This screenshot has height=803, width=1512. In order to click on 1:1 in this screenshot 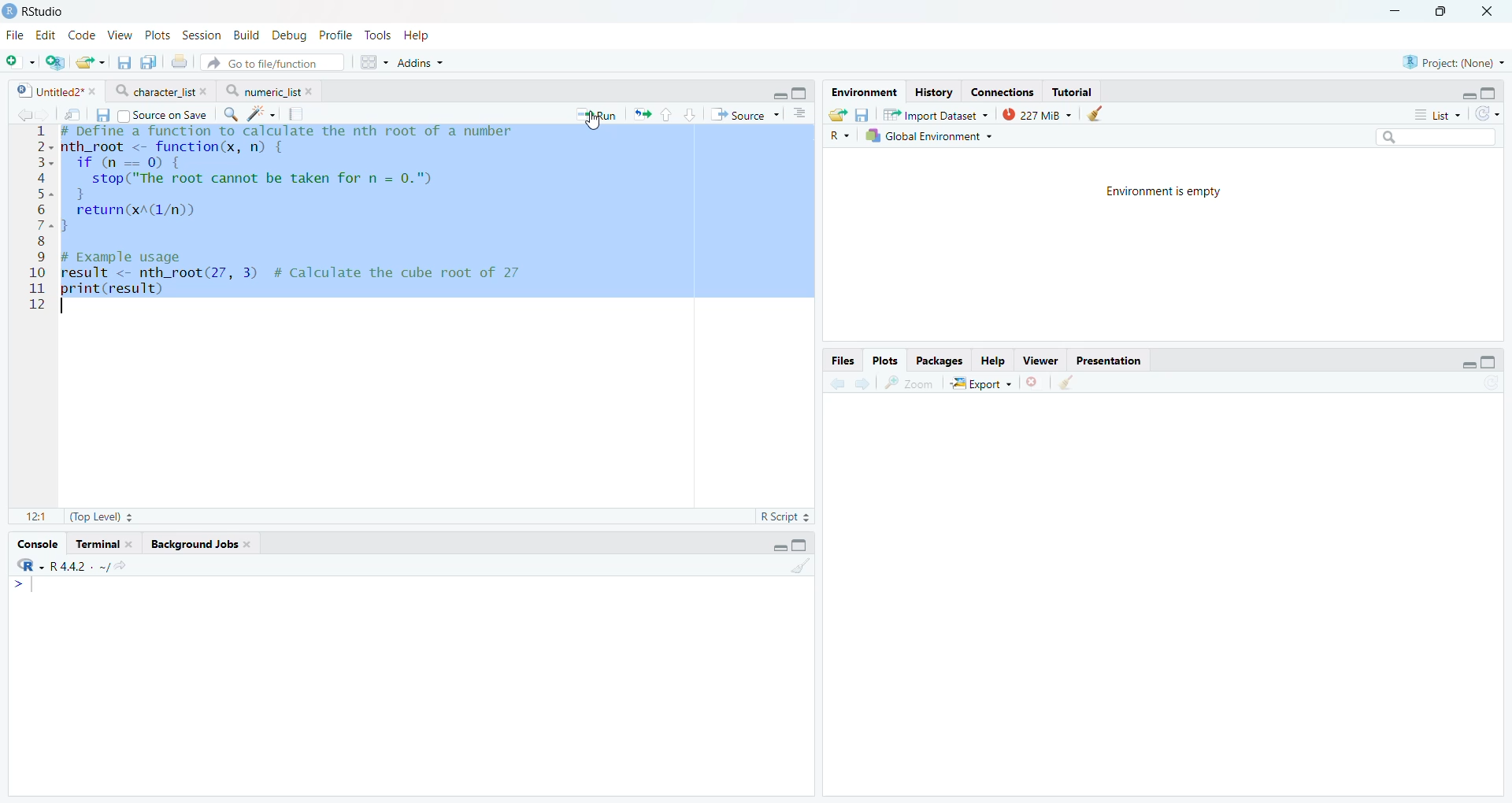, I will do `click(32, 515)`.